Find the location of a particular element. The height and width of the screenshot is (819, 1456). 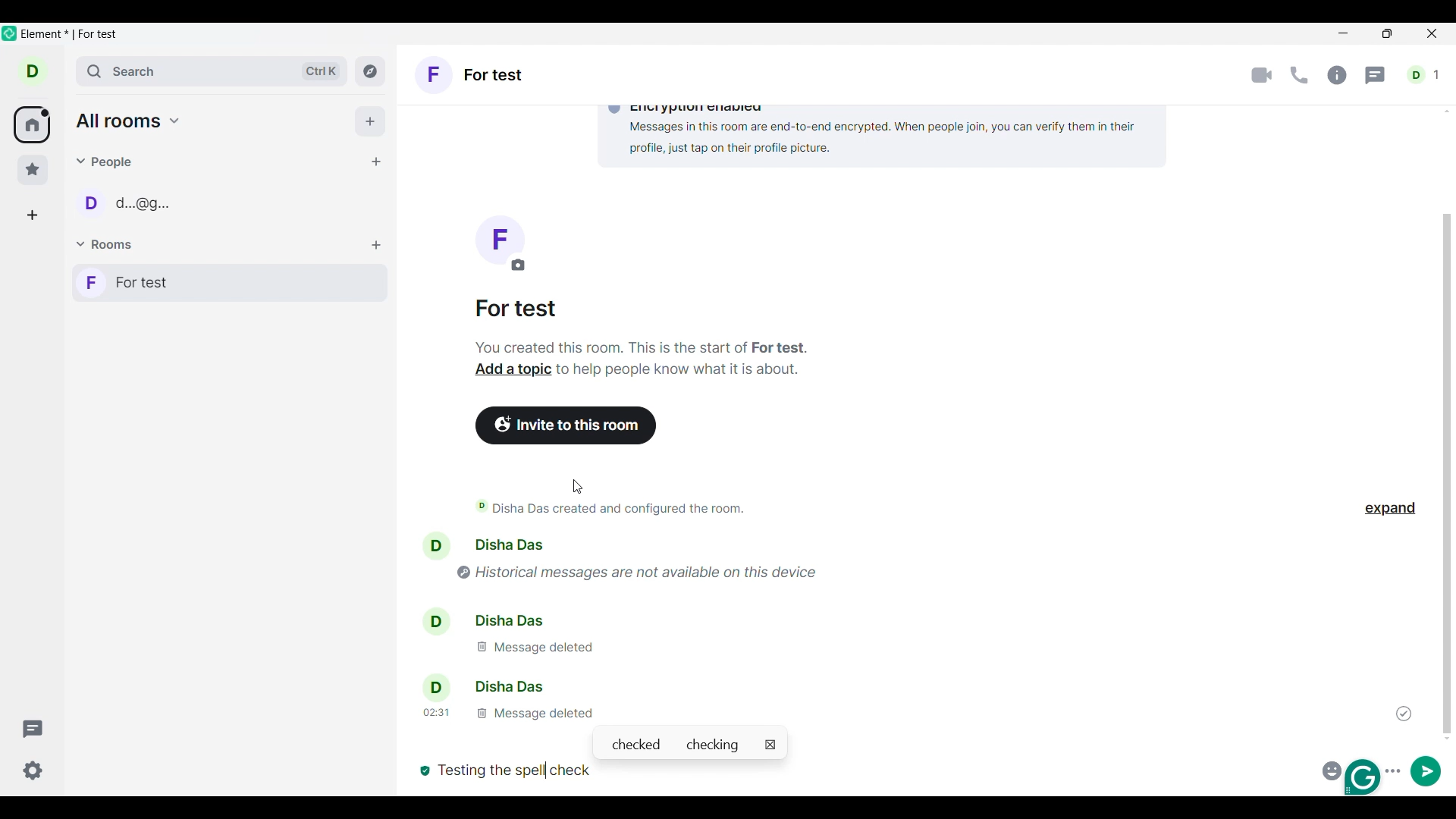

Software and room name is located at coordinates (73, 35).